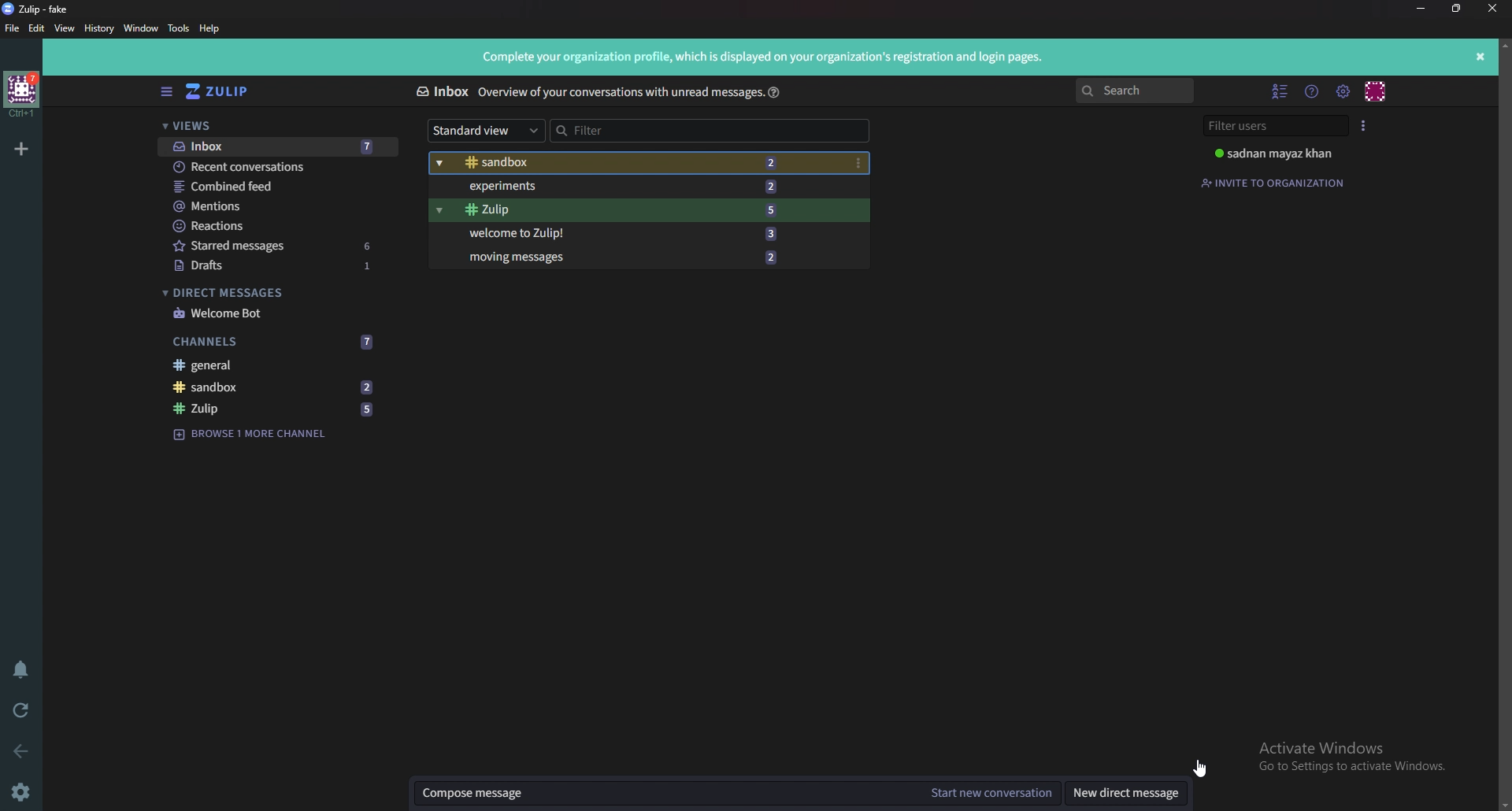 The width and height of the screenshot is (1512, 811). Describe the element at coordinates (1366, 125) in the screenshot. I see `User list style` at that location.